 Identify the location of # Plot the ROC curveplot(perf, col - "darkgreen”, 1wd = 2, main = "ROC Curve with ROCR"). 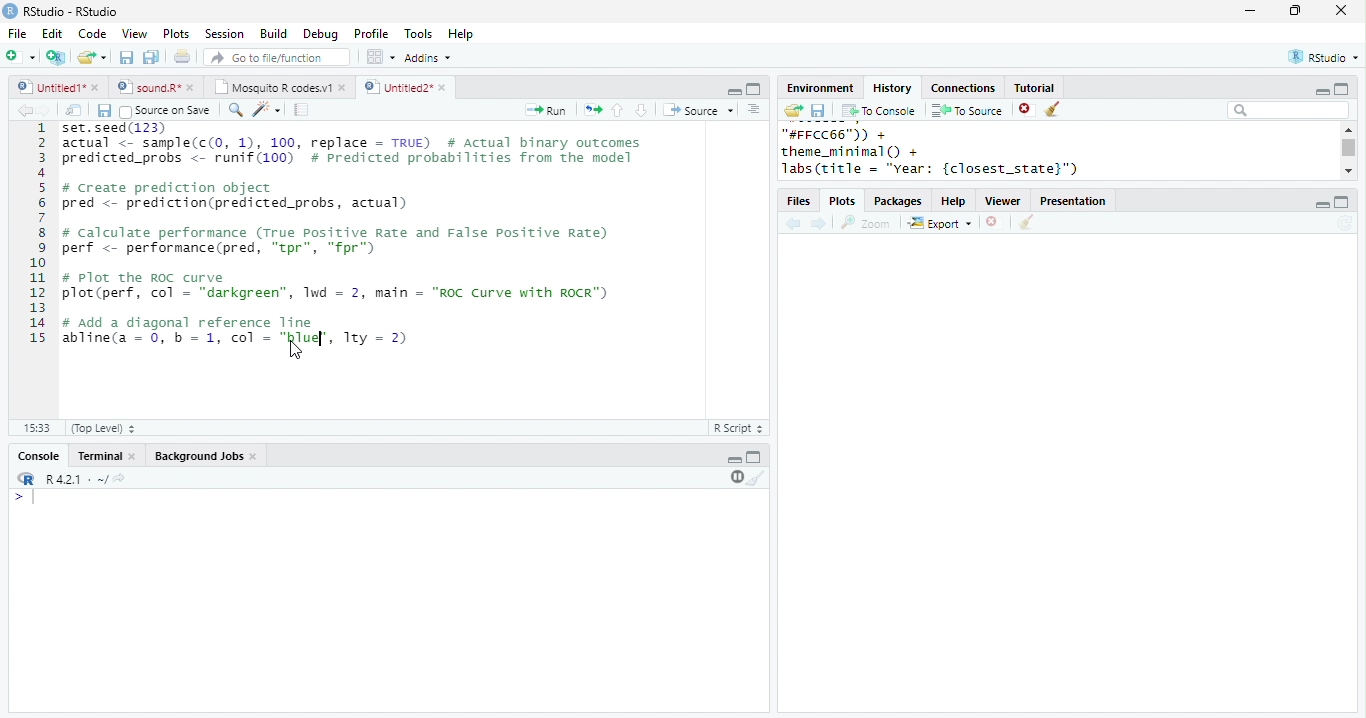
(338, 287).